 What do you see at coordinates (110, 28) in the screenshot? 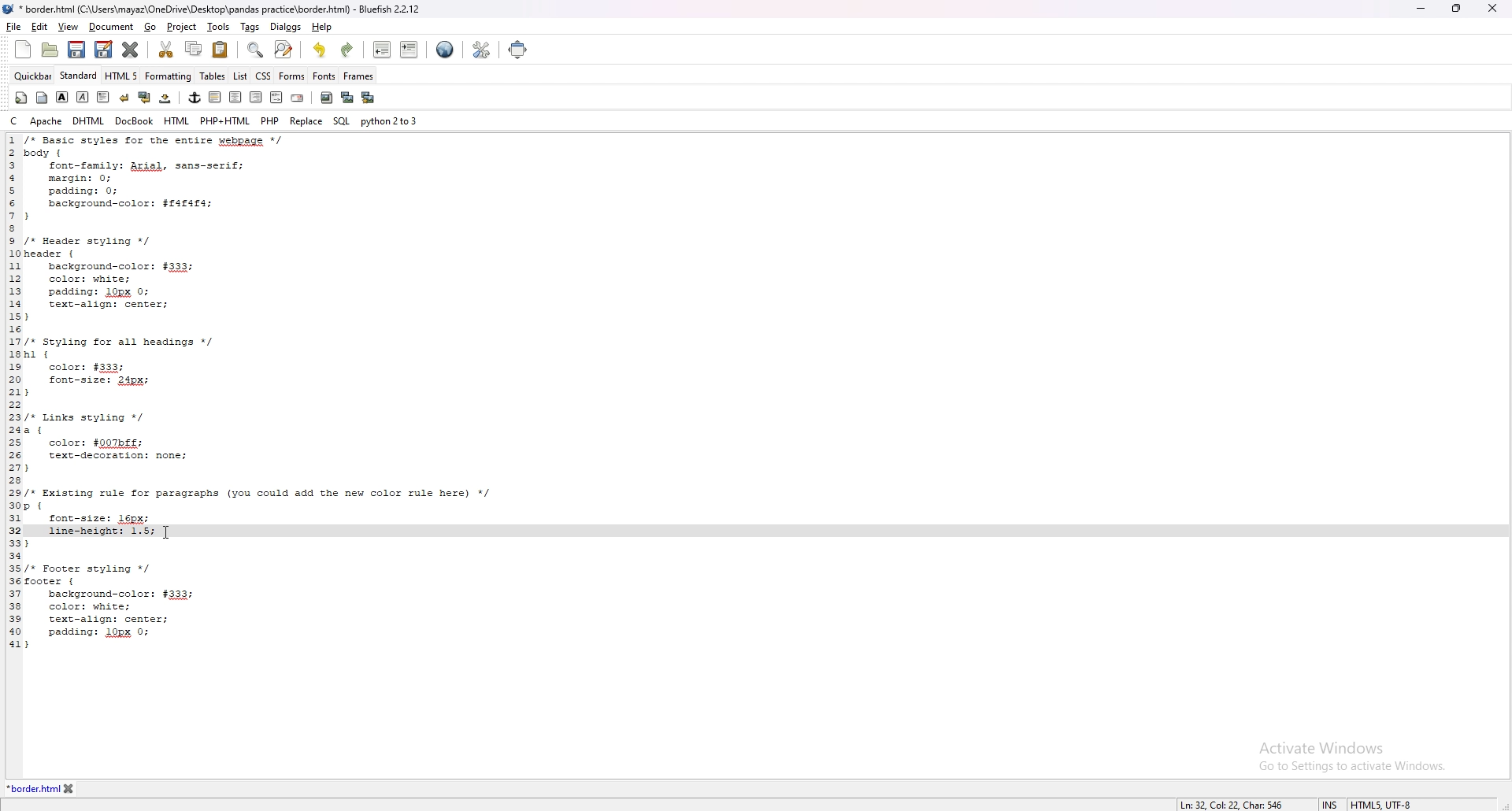
I see `document` at bounding box center [110, 28].